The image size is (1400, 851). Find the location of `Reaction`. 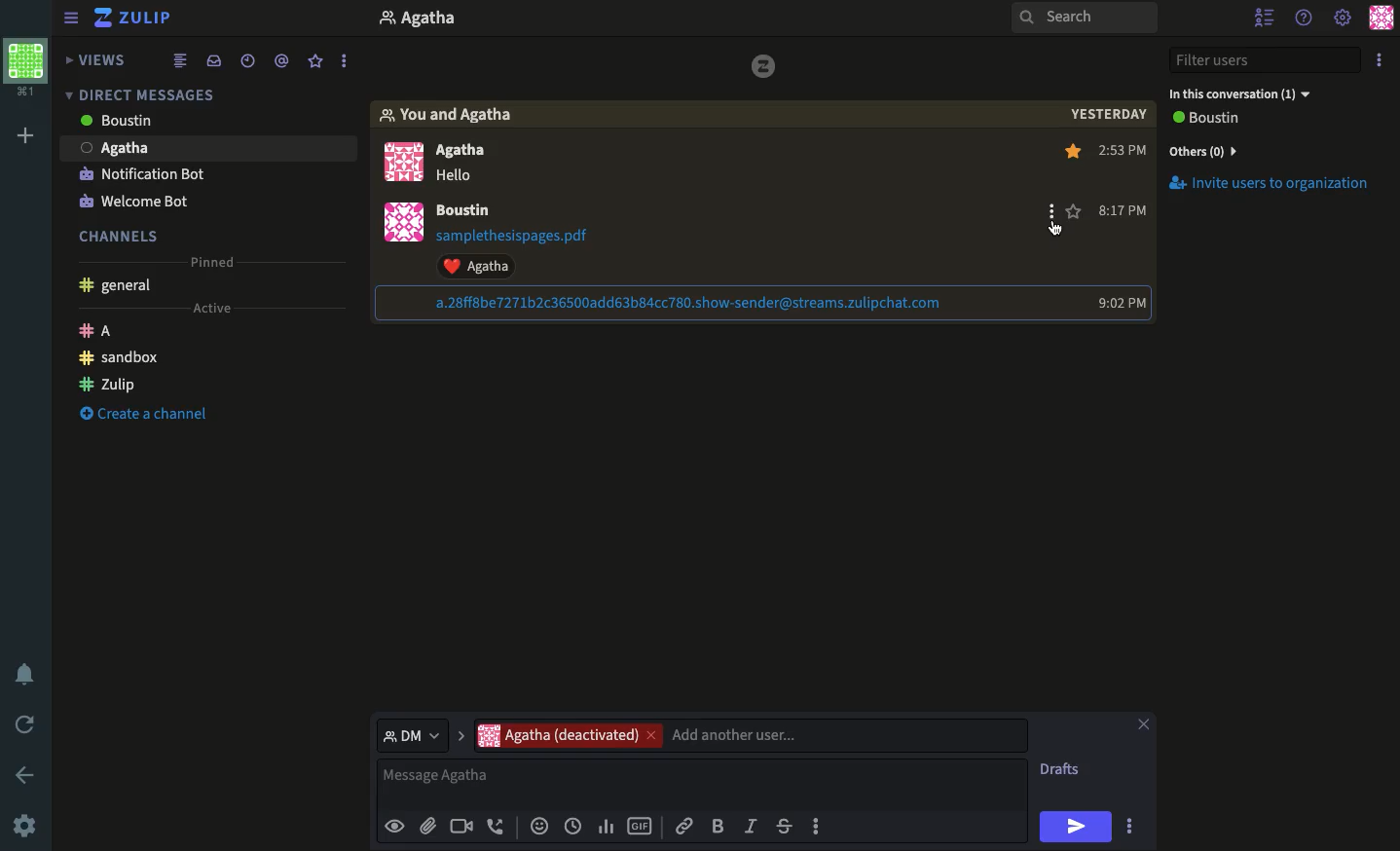

Reaction is located at coordinates (487, 266).